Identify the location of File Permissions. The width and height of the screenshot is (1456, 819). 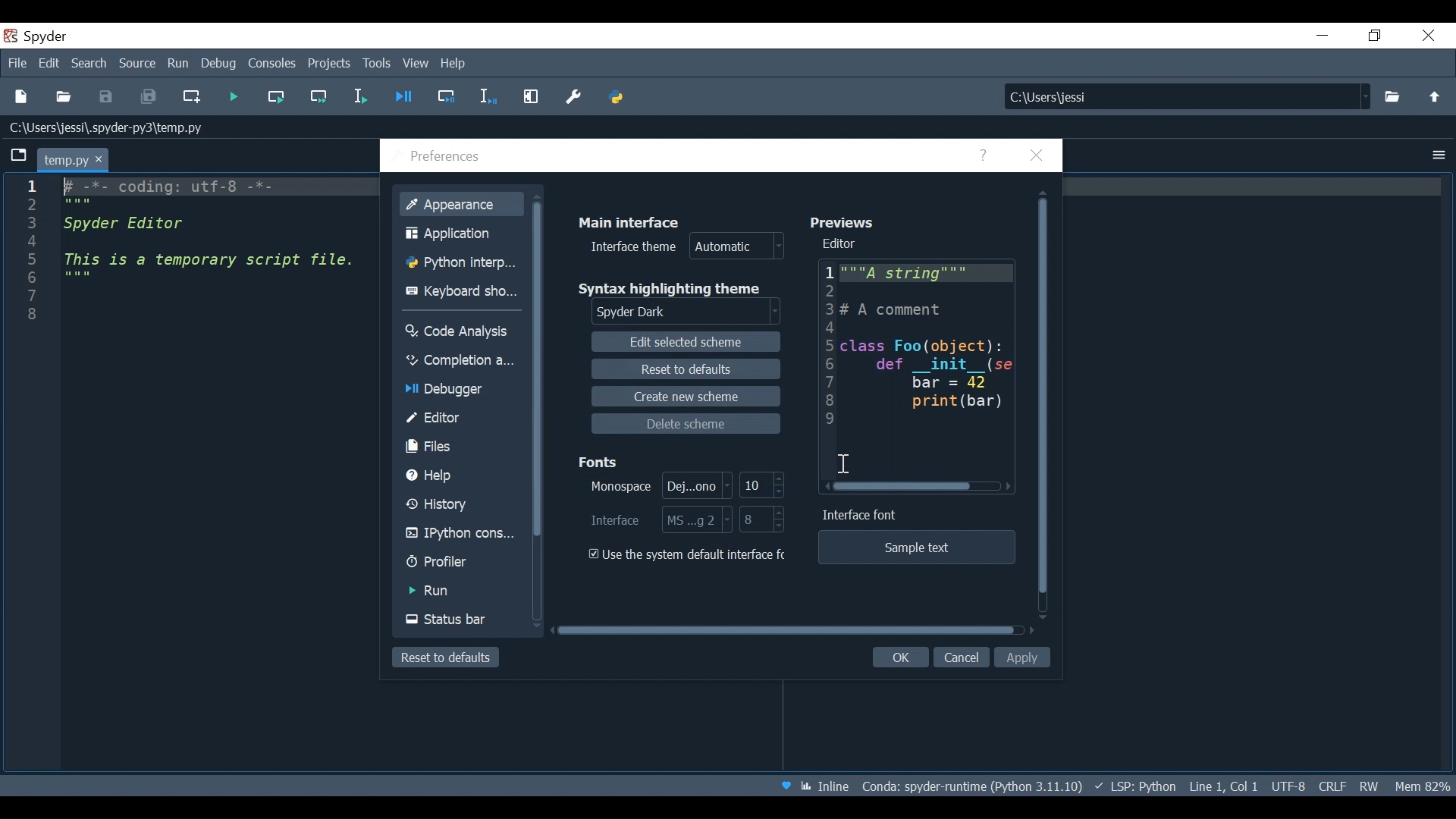
(1369, 786).